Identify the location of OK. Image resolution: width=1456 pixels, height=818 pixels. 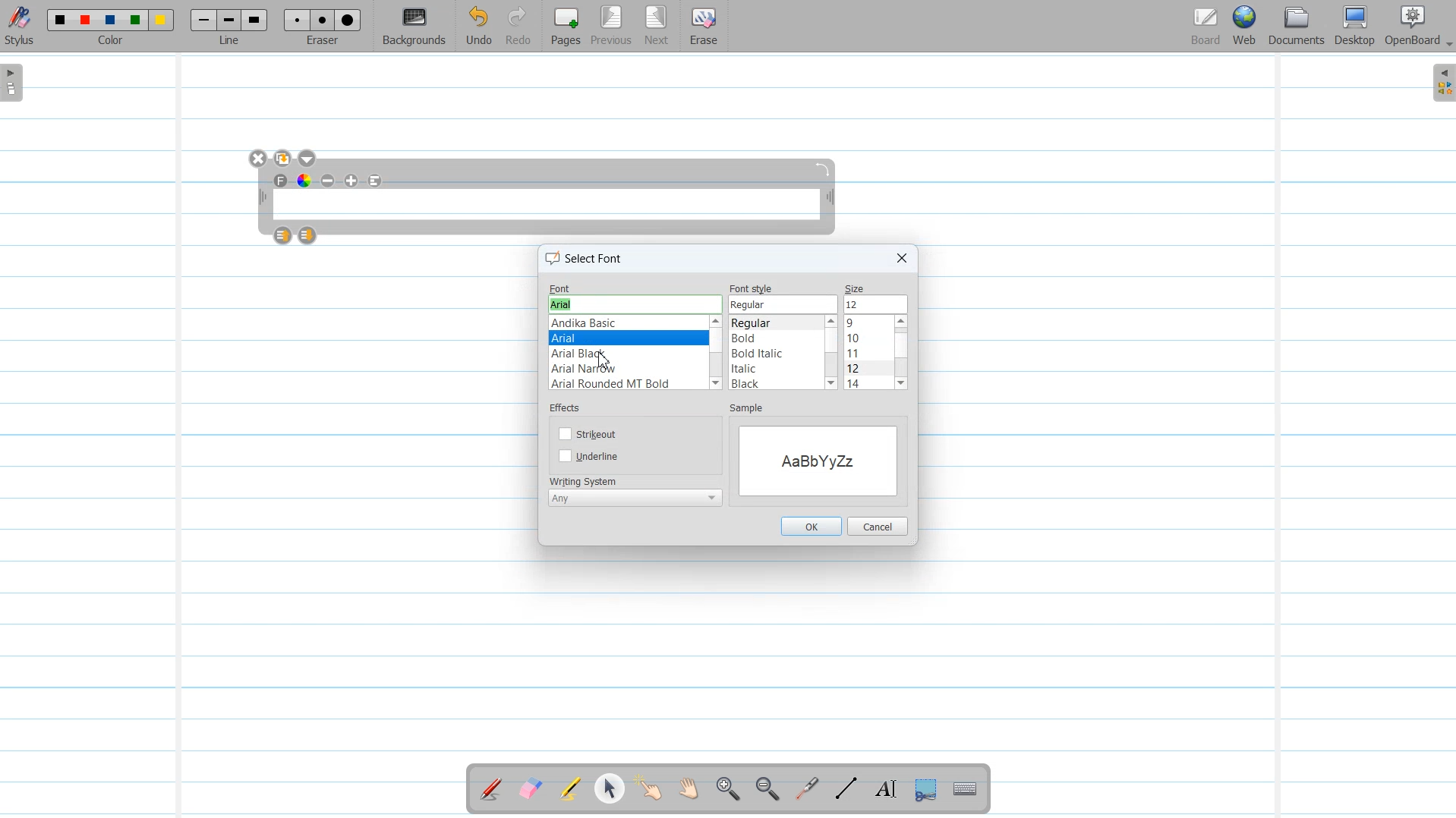
(812, 526).